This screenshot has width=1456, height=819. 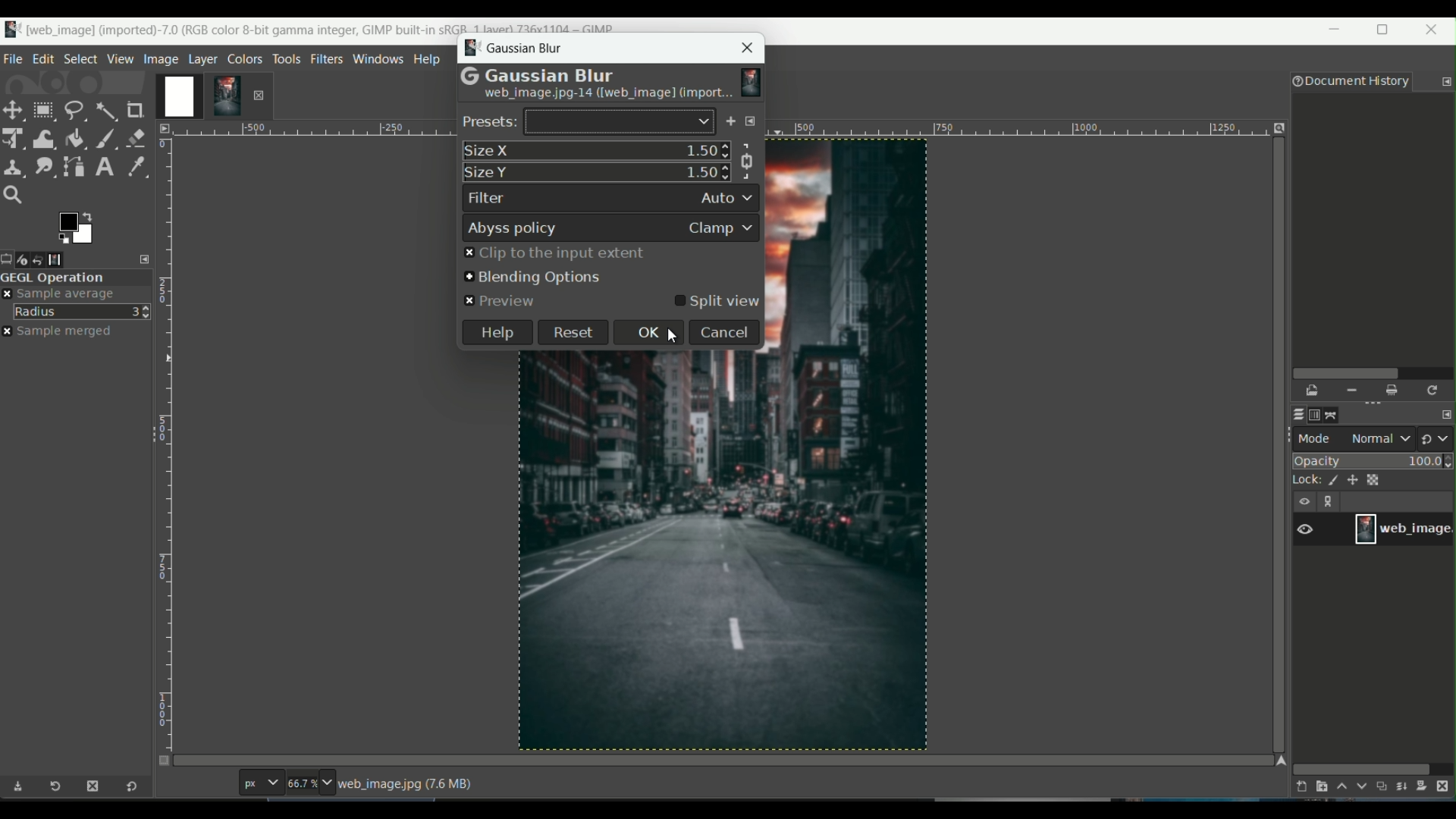 What do you see at coordinates (1340, 789) in the screenshot?
I see `raise layer` at bounding box center [1340, 789].